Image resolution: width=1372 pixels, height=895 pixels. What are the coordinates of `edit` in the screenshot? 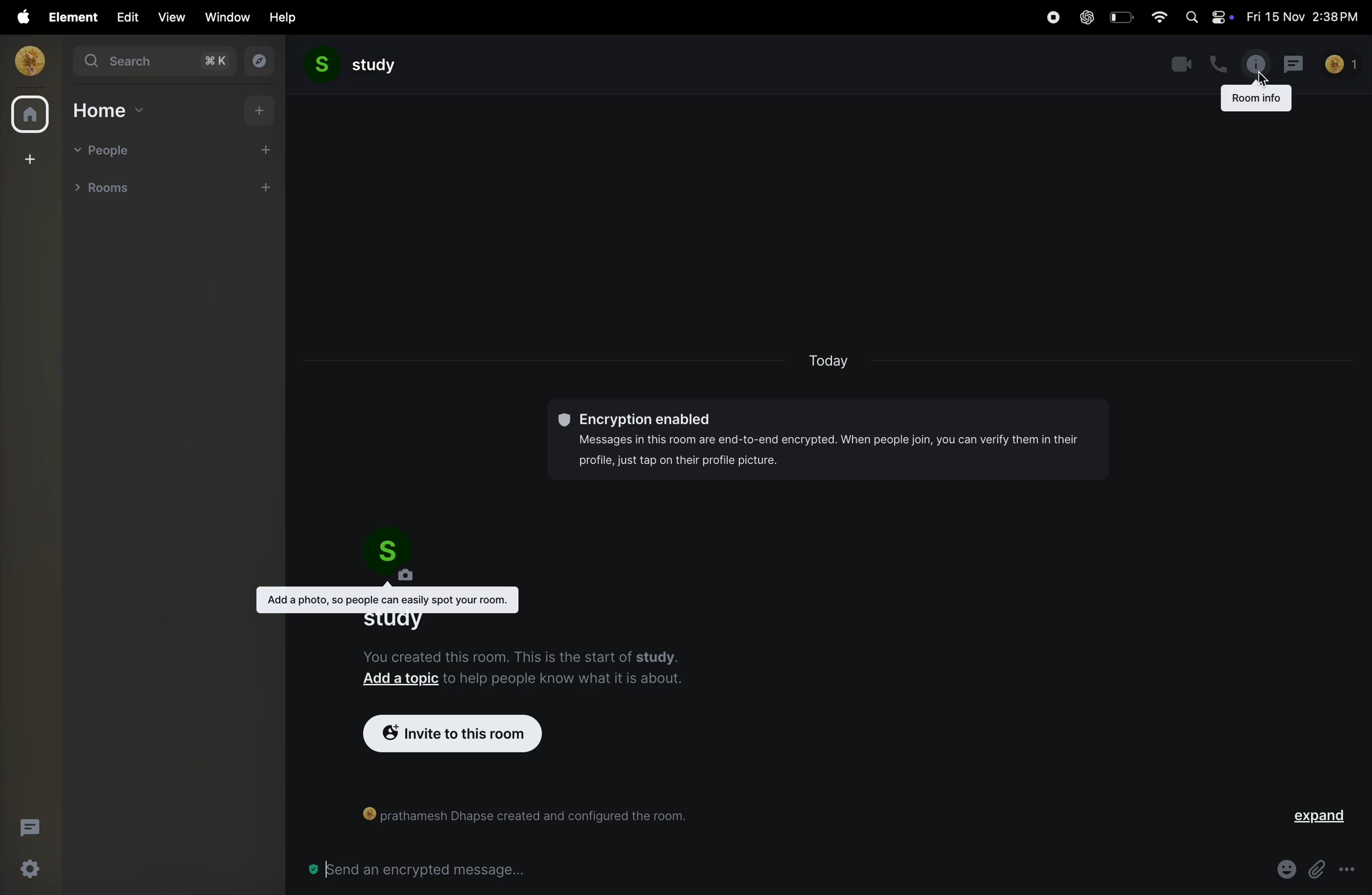 It's located at (125, 16).